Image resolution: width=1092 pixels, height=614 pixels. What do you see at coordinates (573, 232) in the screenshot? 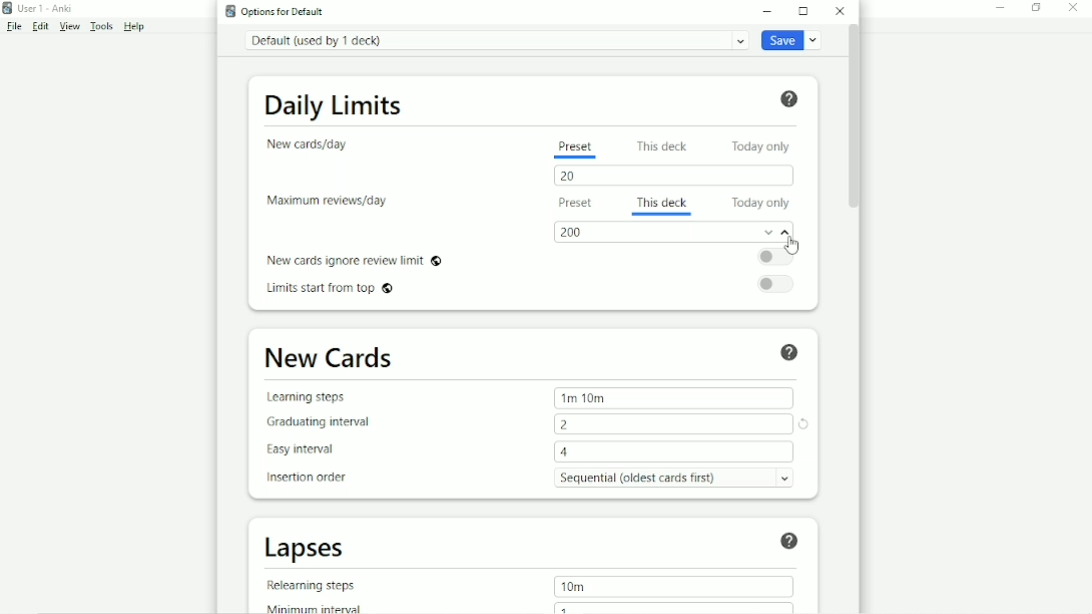
I see `200` at bounding box center [573, 232].